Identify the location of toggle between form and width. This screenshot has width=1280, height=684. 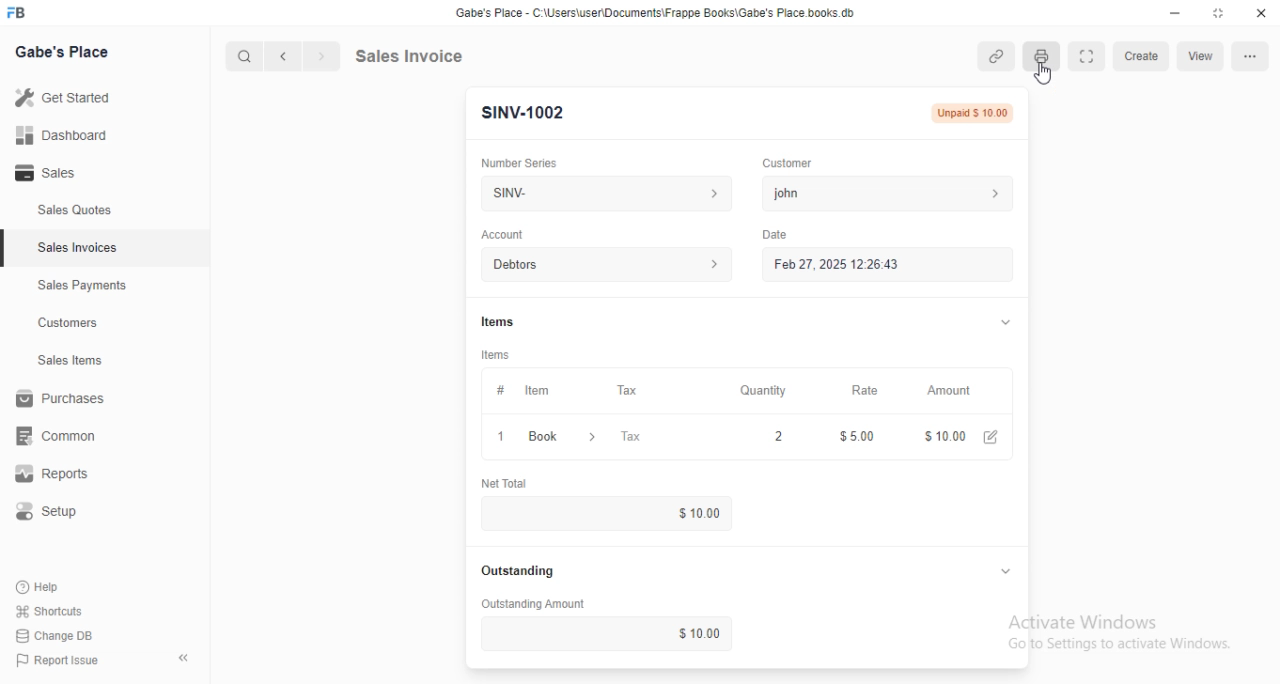
(1087, 56).